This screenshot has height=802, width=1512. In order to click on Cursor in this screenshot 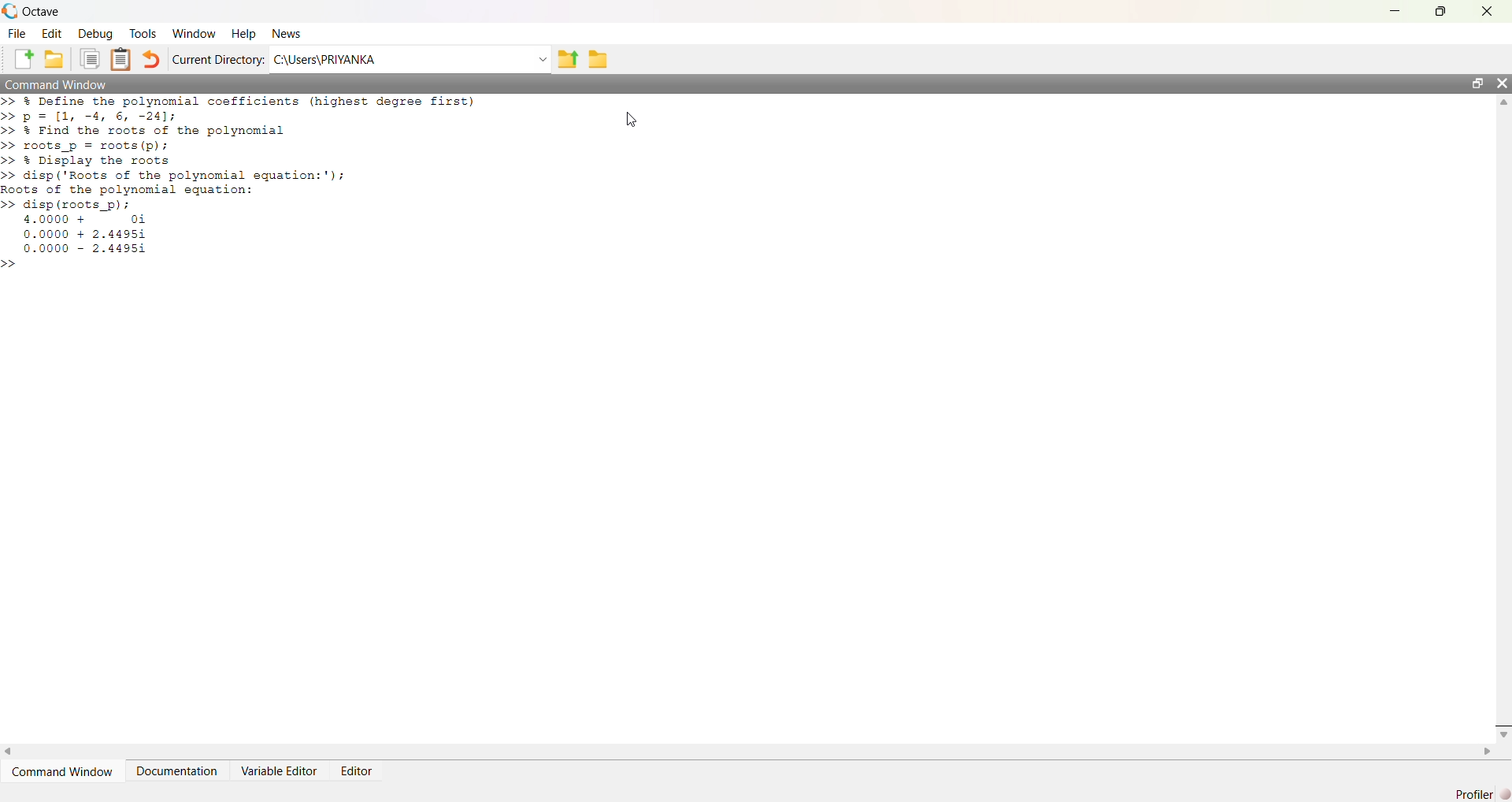, I will do `click(632, 119)`.